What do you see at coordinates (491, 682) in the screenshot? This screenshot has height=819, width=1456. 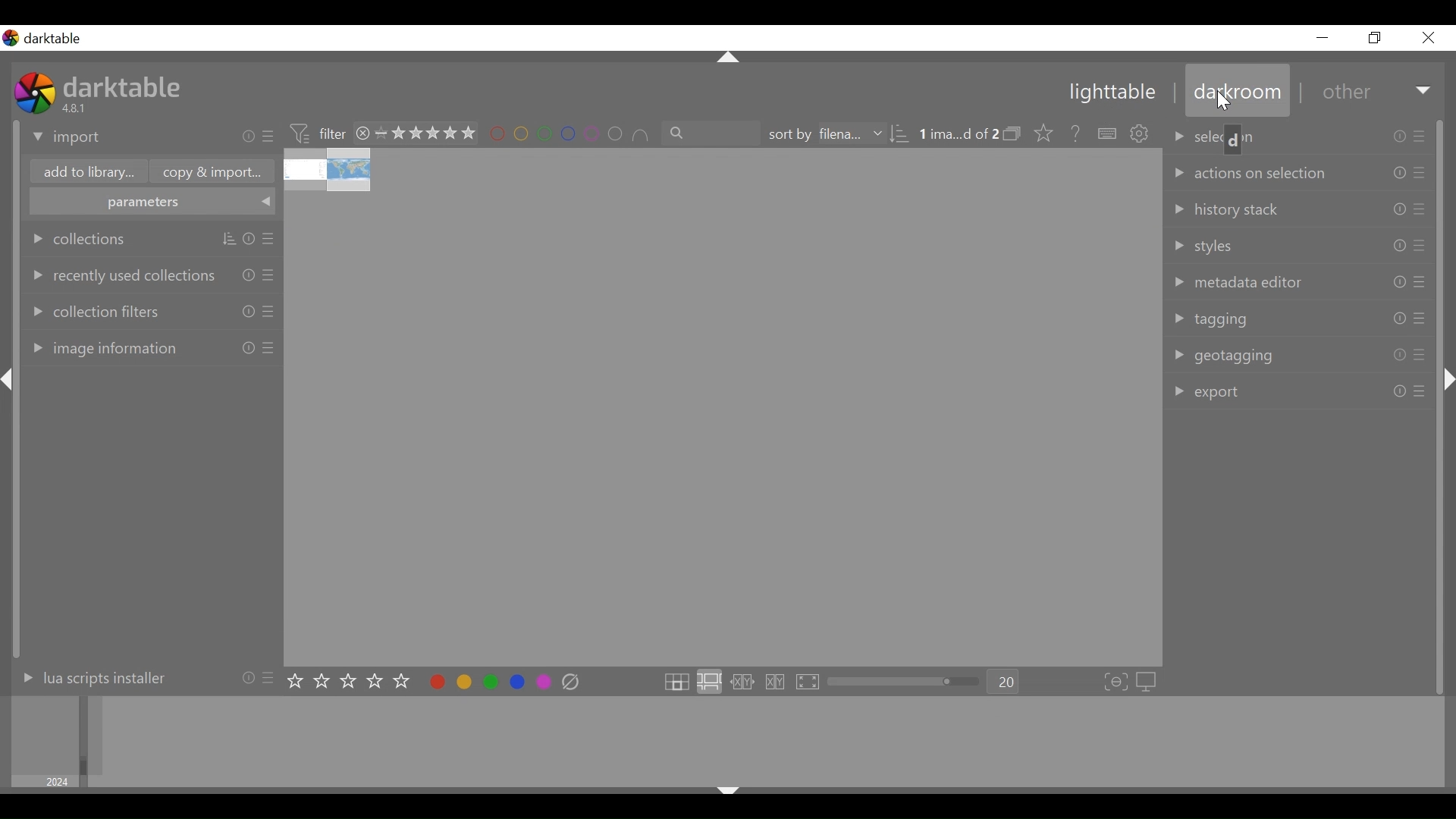 I see `toggle color label for selected image` at bounding box center [491, 682].